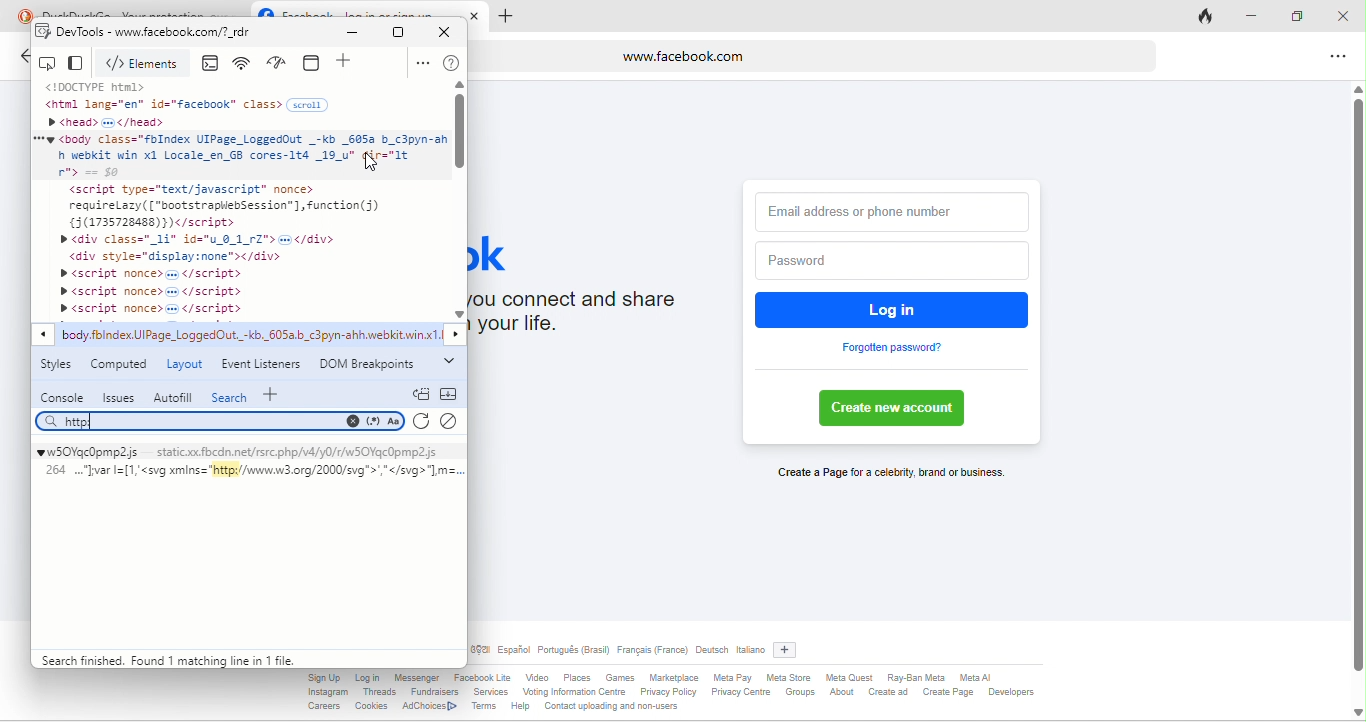  What do you see at coordinates (220, 421) in the screenshot?
I see `search link` at bounding box center [220, 421].